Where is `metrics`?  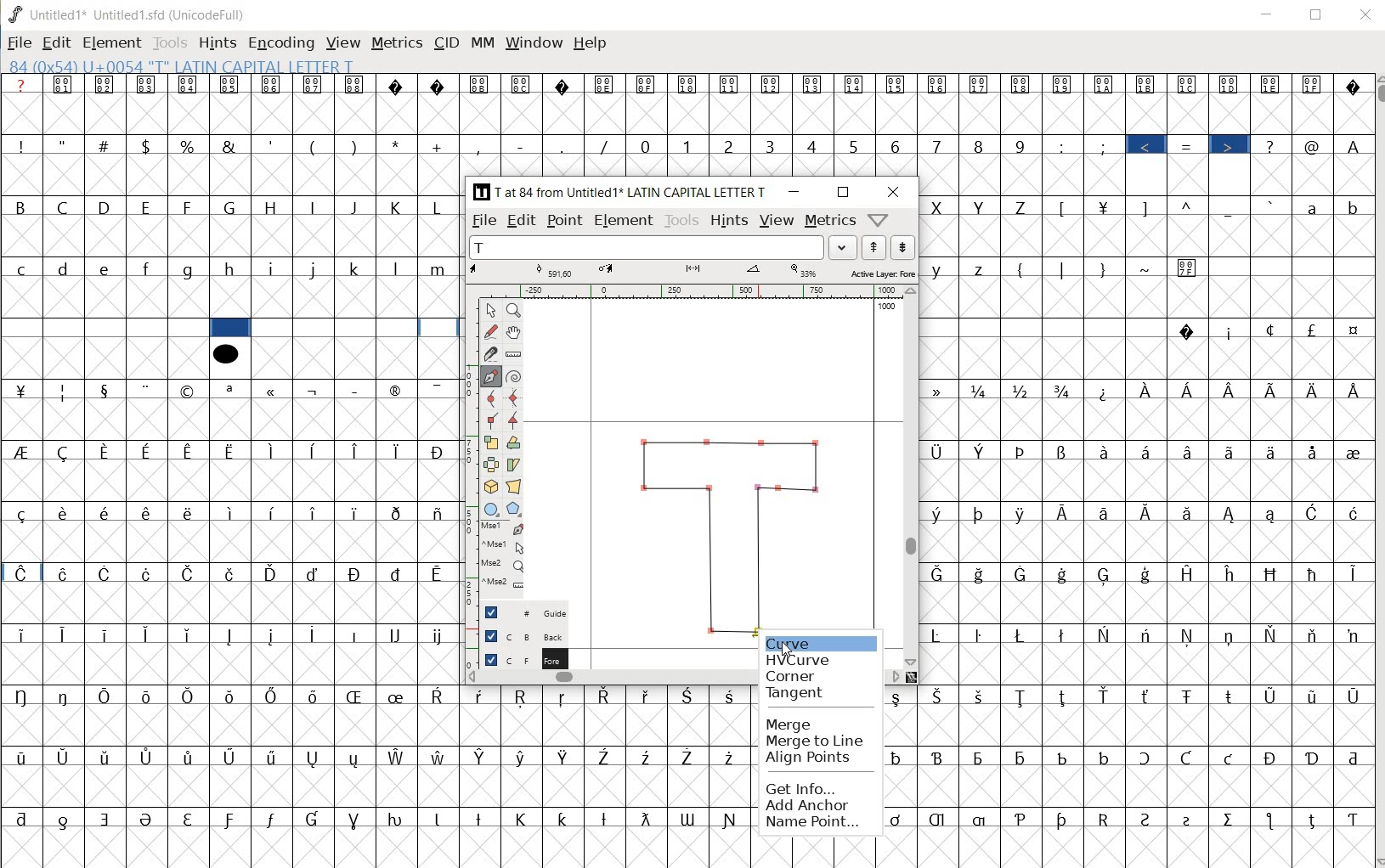 metrics is located at coordinates (396, 47).